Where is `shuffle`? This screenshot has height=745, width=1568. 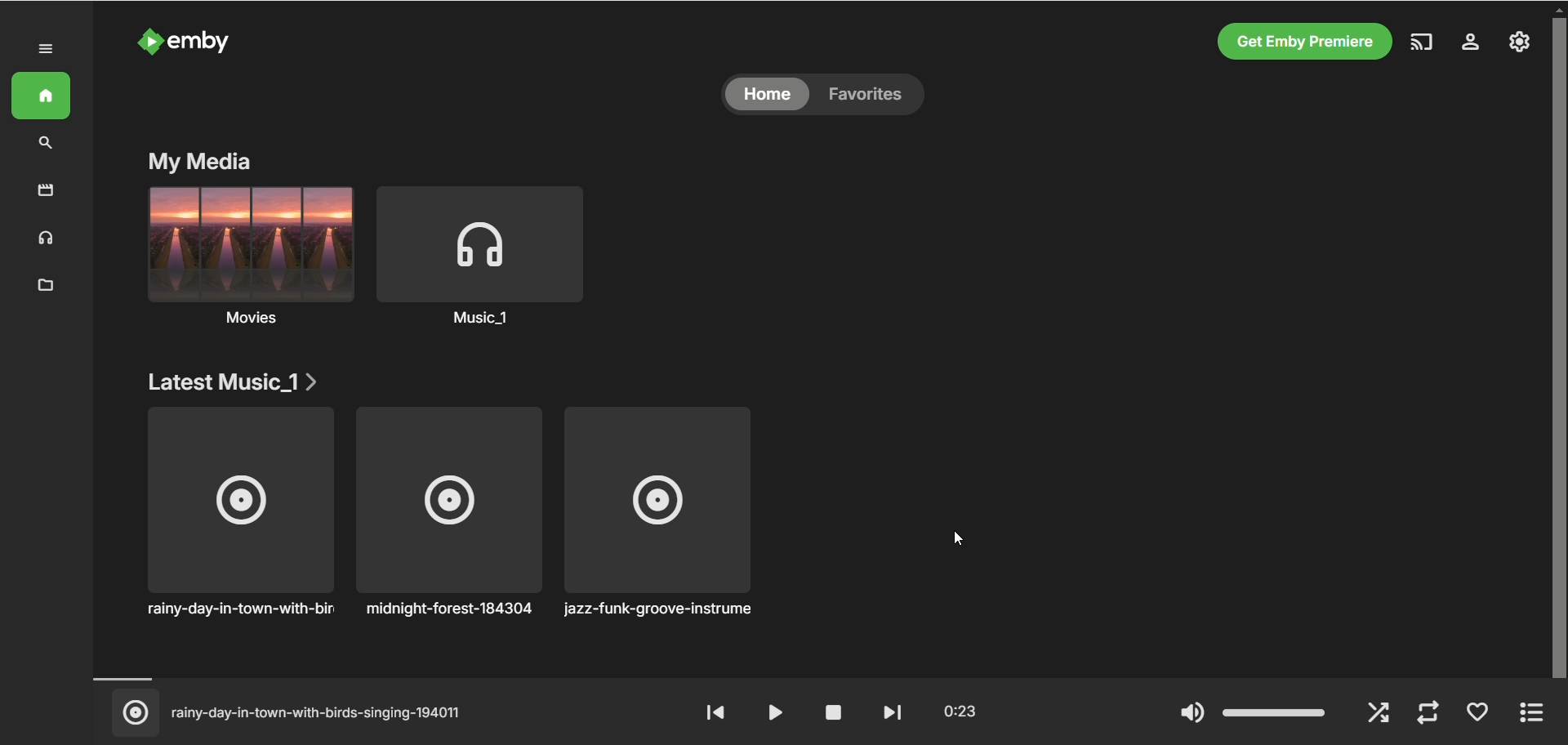 shuffle is located at coordinates (1383, 716).